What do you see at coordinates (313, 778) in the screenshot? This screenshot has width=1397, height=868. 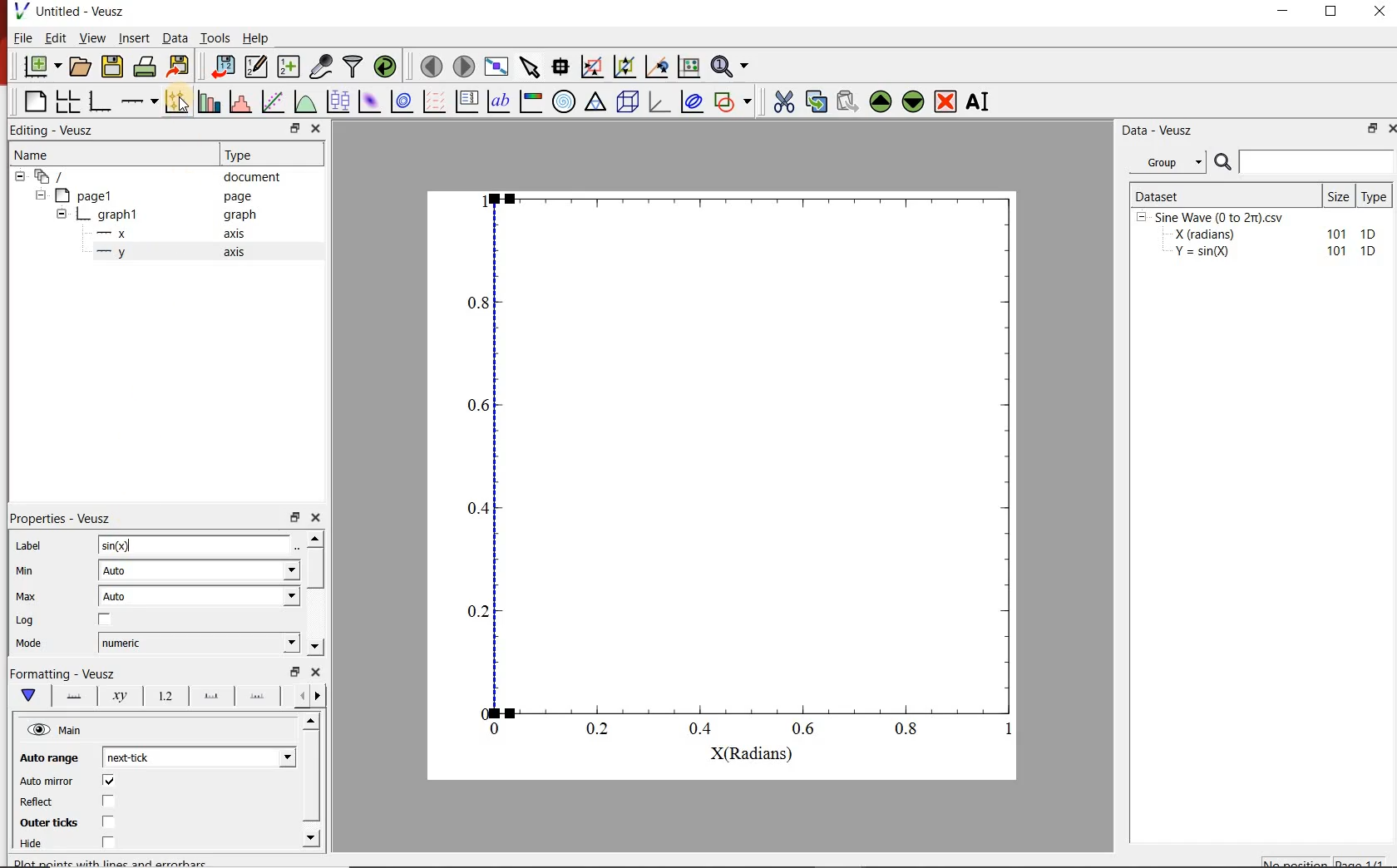 I see `Horizontal scrollbar` at bounding box center [313, 778].